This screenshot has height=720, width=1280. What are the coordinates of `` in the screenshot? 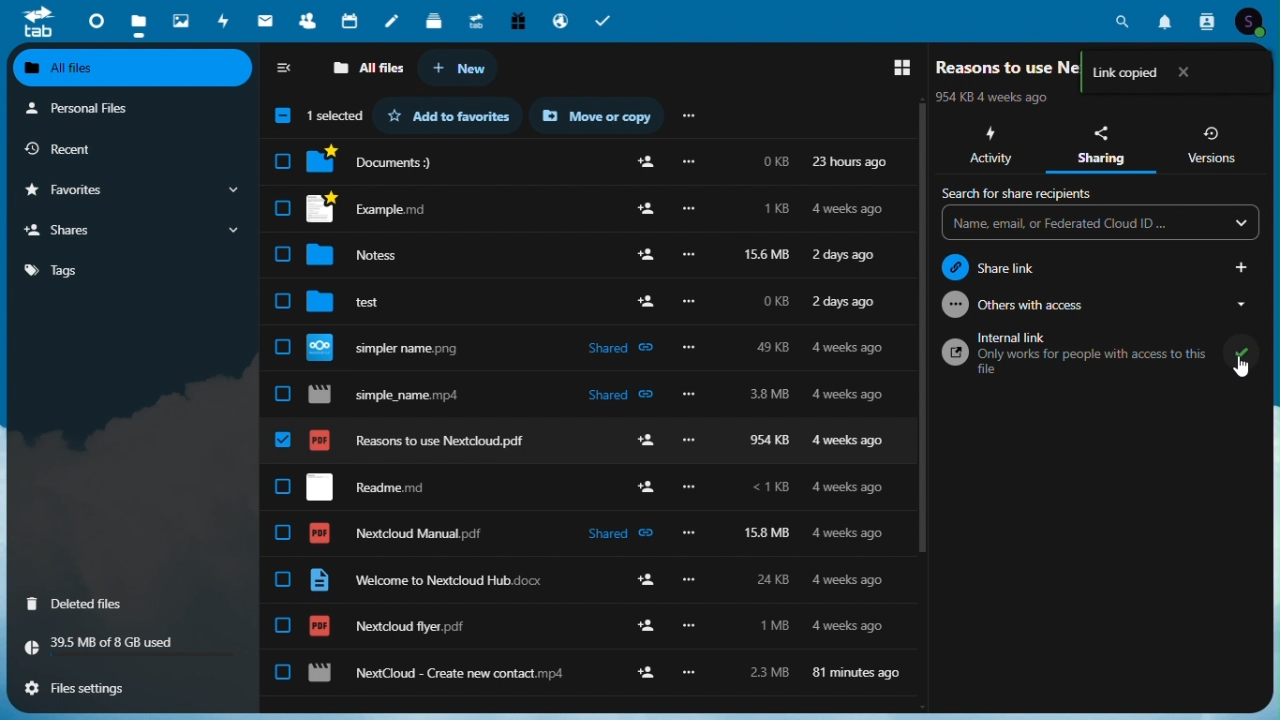 It's located at (690, 302).